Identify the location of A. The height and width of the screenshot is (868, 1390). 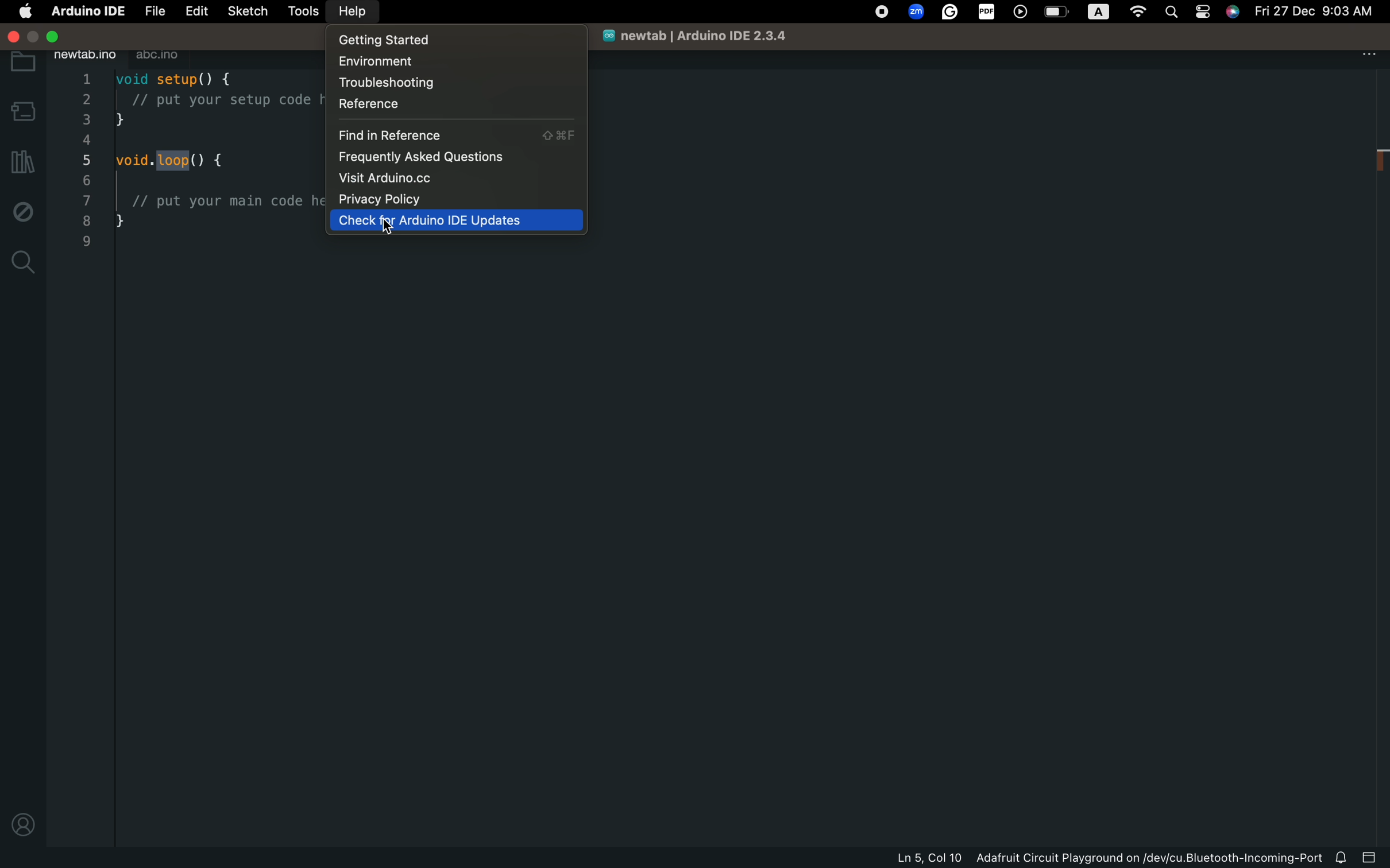
(1096, 10).